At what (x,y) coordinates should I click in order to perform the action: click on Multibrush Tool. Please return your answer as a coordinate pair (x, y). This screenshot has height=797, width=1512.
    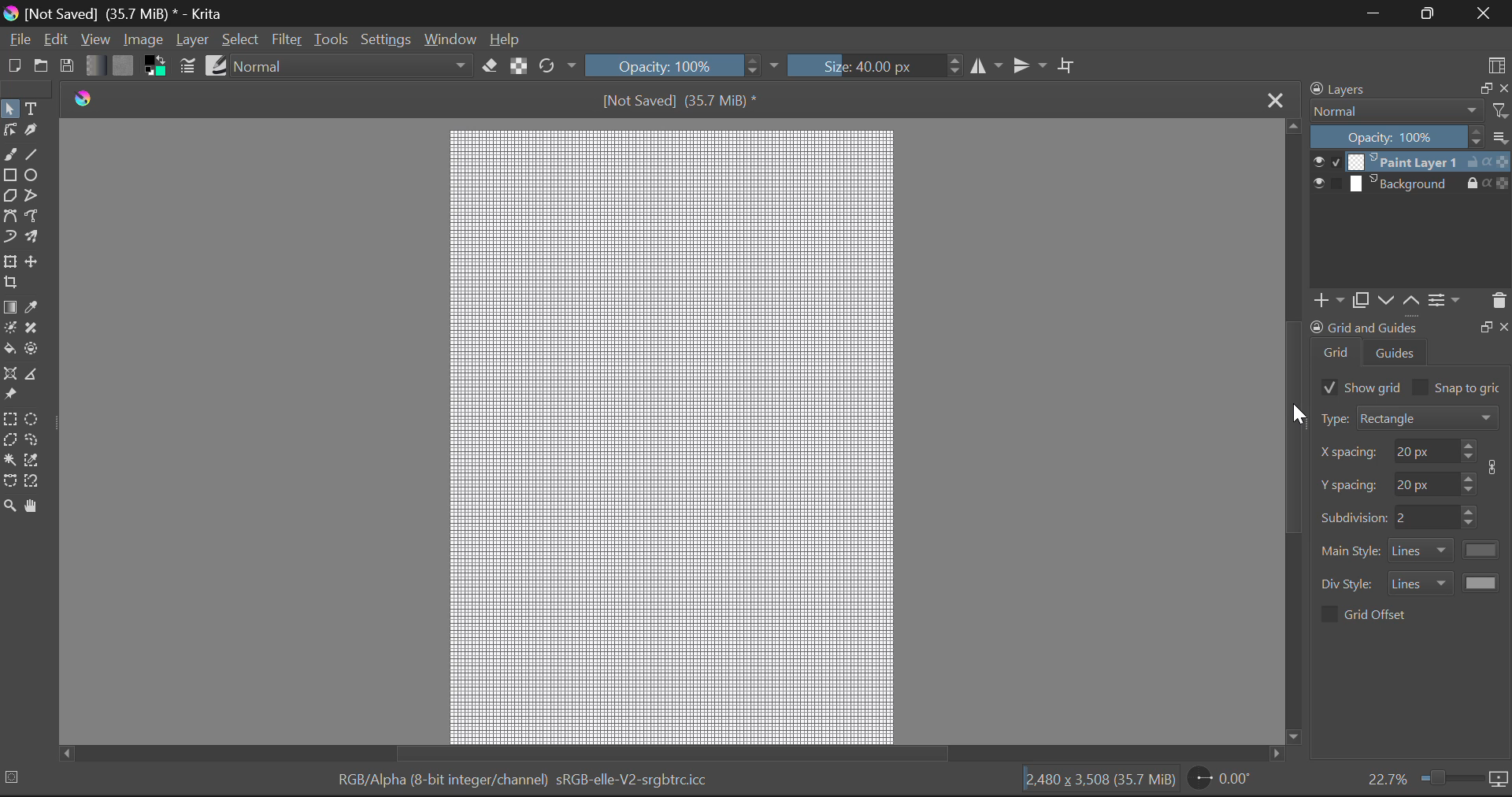
    Looking at the image, I should click on (35, 239).